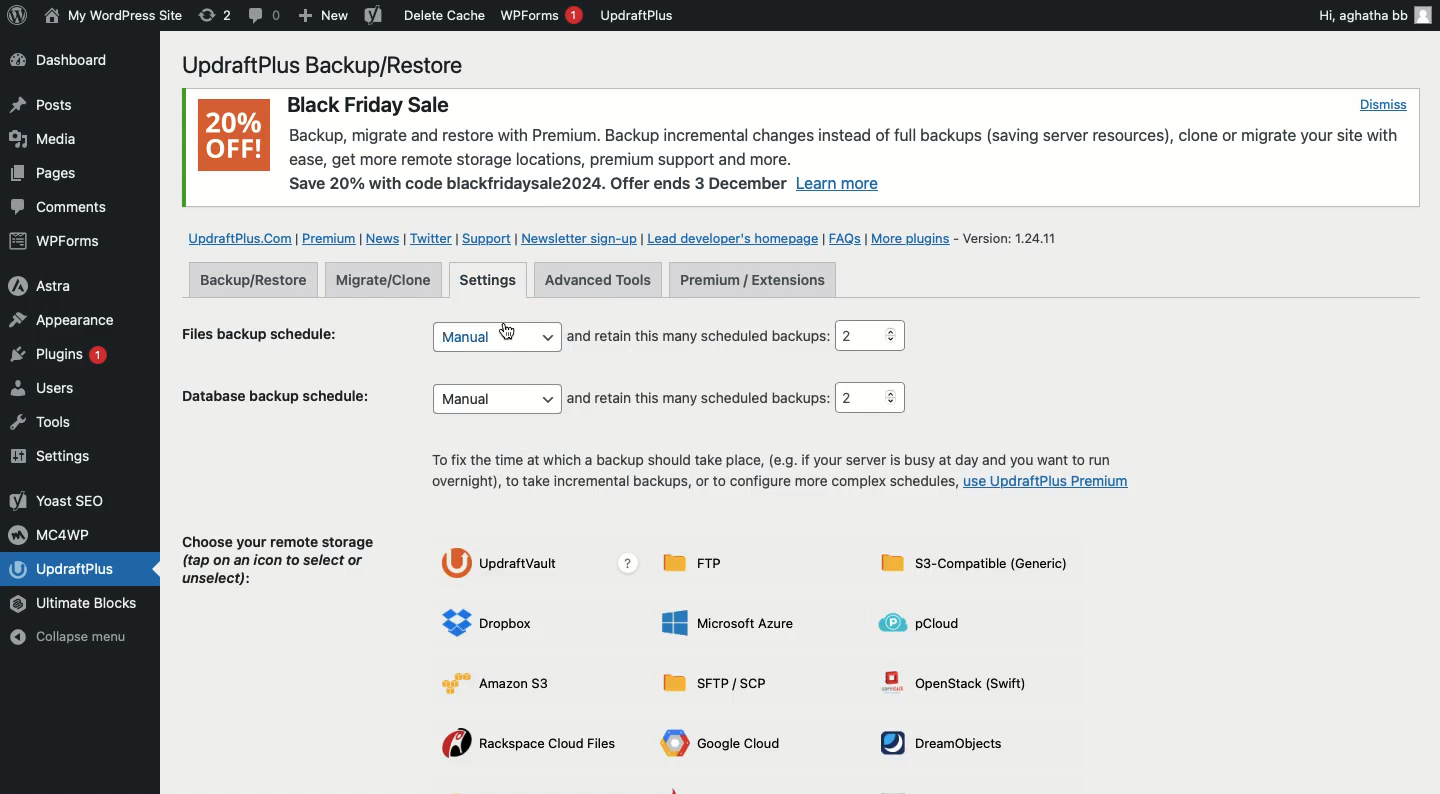 This screenshot has width=1440, height=794. What do you see at coordinates (541, 15) in the screenshot?
I see `WPForms 1` at bounding box center [541, 15].